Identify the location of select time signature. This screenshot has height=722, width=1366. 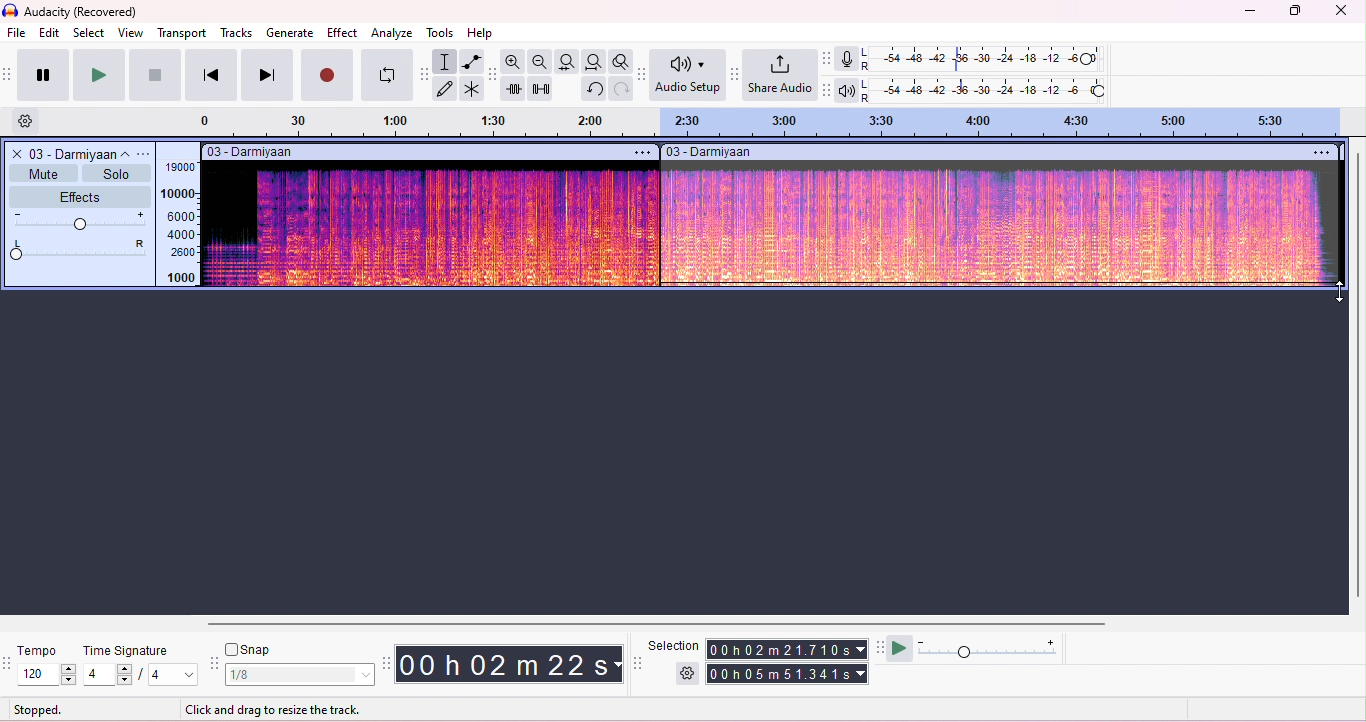
(142, 674).